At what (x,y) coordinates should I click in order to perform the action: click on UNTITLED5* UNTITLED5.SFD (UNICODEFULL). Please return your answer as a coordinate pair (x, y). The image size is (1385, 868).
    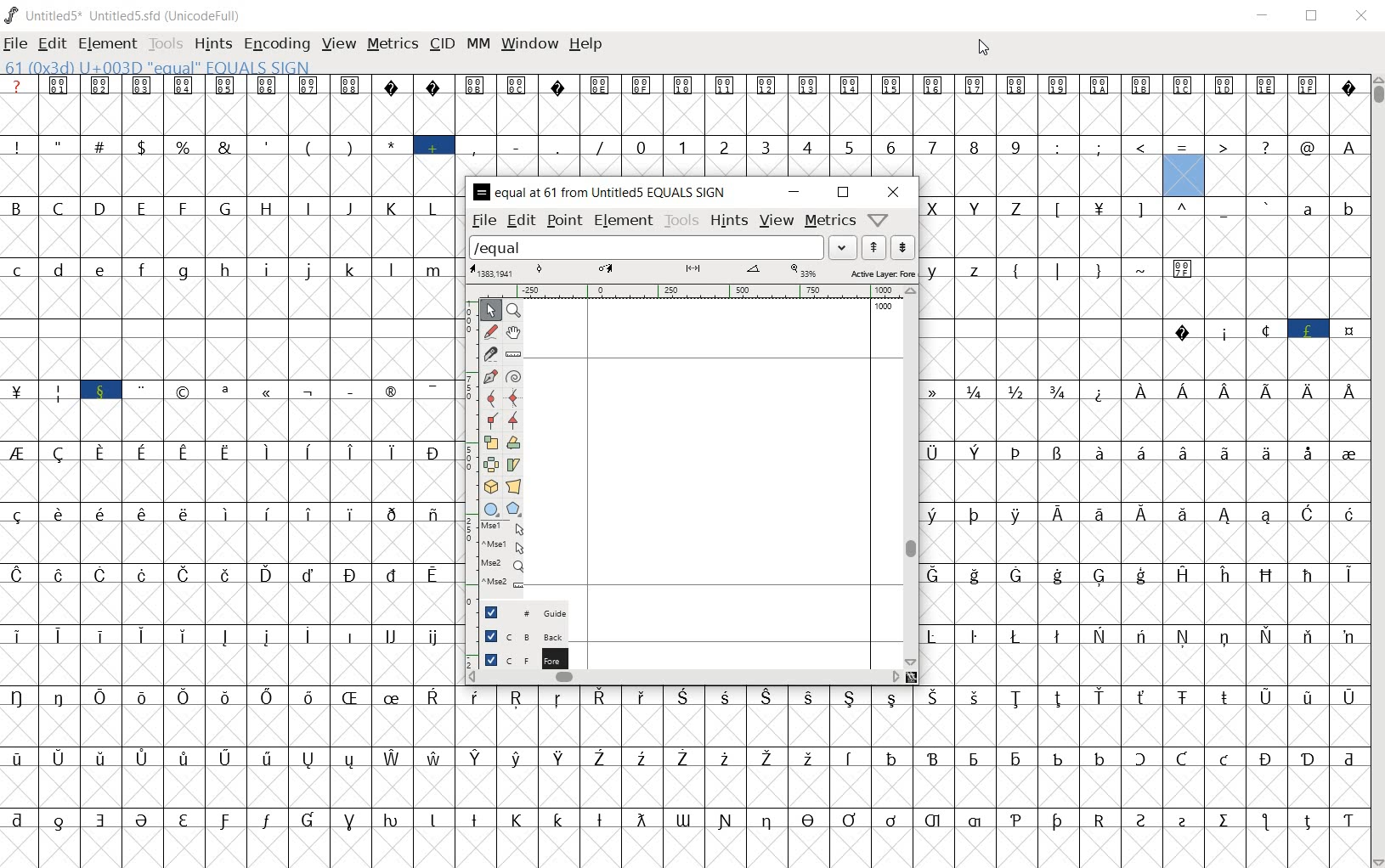
    Looking at the image, I should click on (127, 14).